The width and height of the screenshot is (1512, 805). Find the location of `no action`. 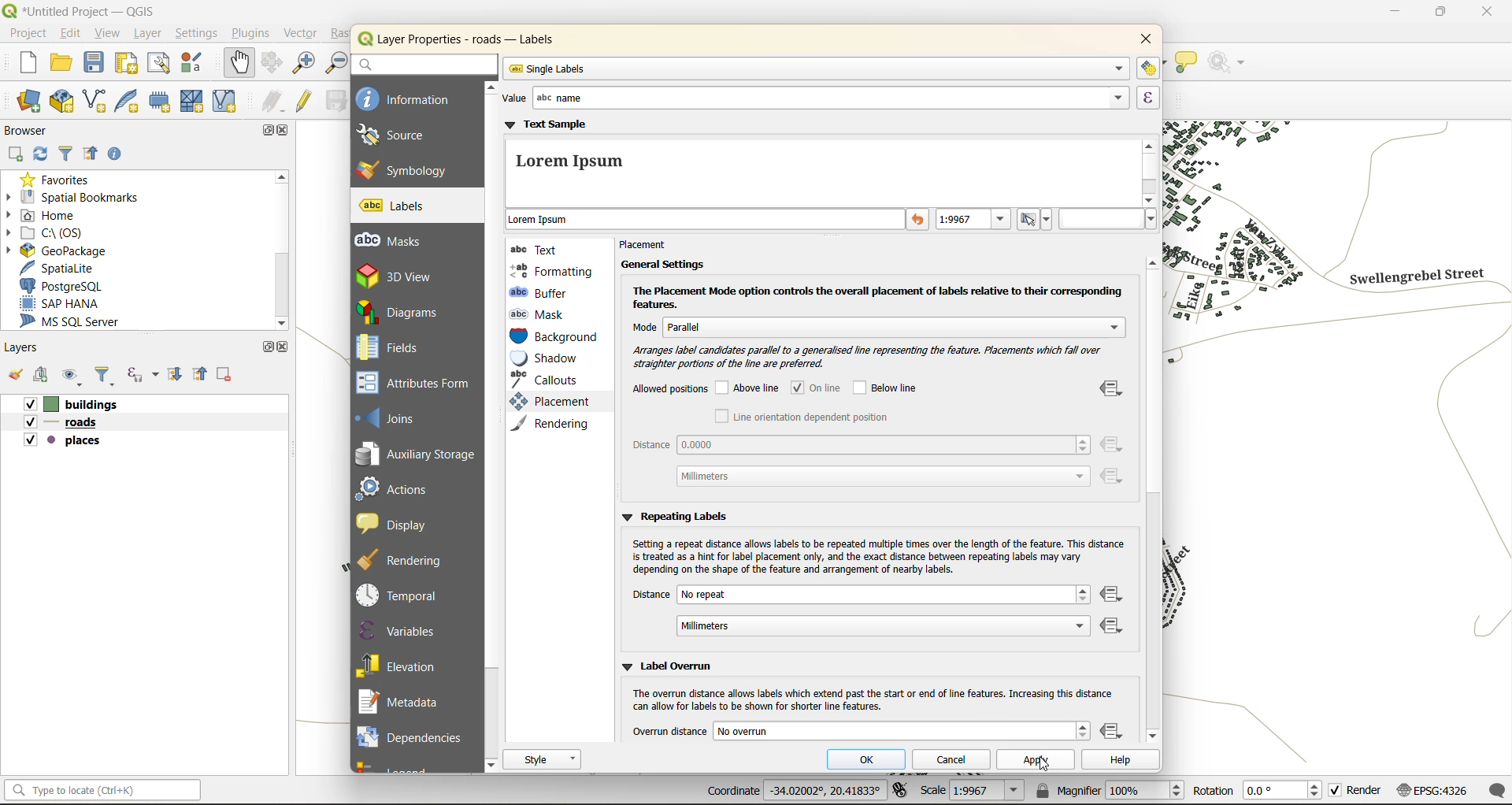

no action is located at coordinates (1232, 63).